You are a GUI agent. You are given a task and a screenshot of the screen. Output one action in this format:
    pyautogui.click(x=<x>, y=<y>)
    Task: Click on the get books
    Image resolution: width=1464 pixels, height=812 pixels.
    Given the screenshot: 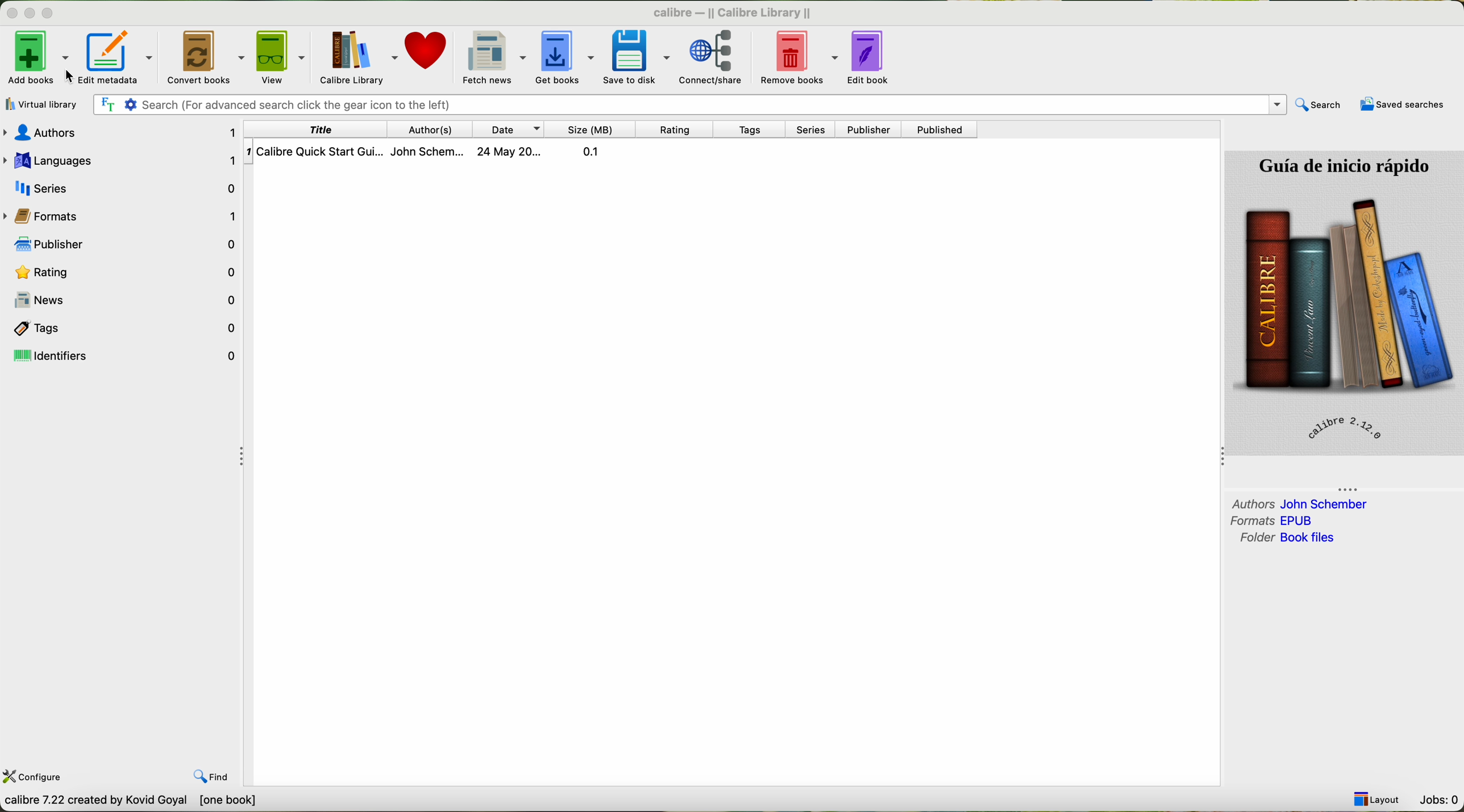 What is the action you would take?
    pyautogui.click(x=567, y=57)
    